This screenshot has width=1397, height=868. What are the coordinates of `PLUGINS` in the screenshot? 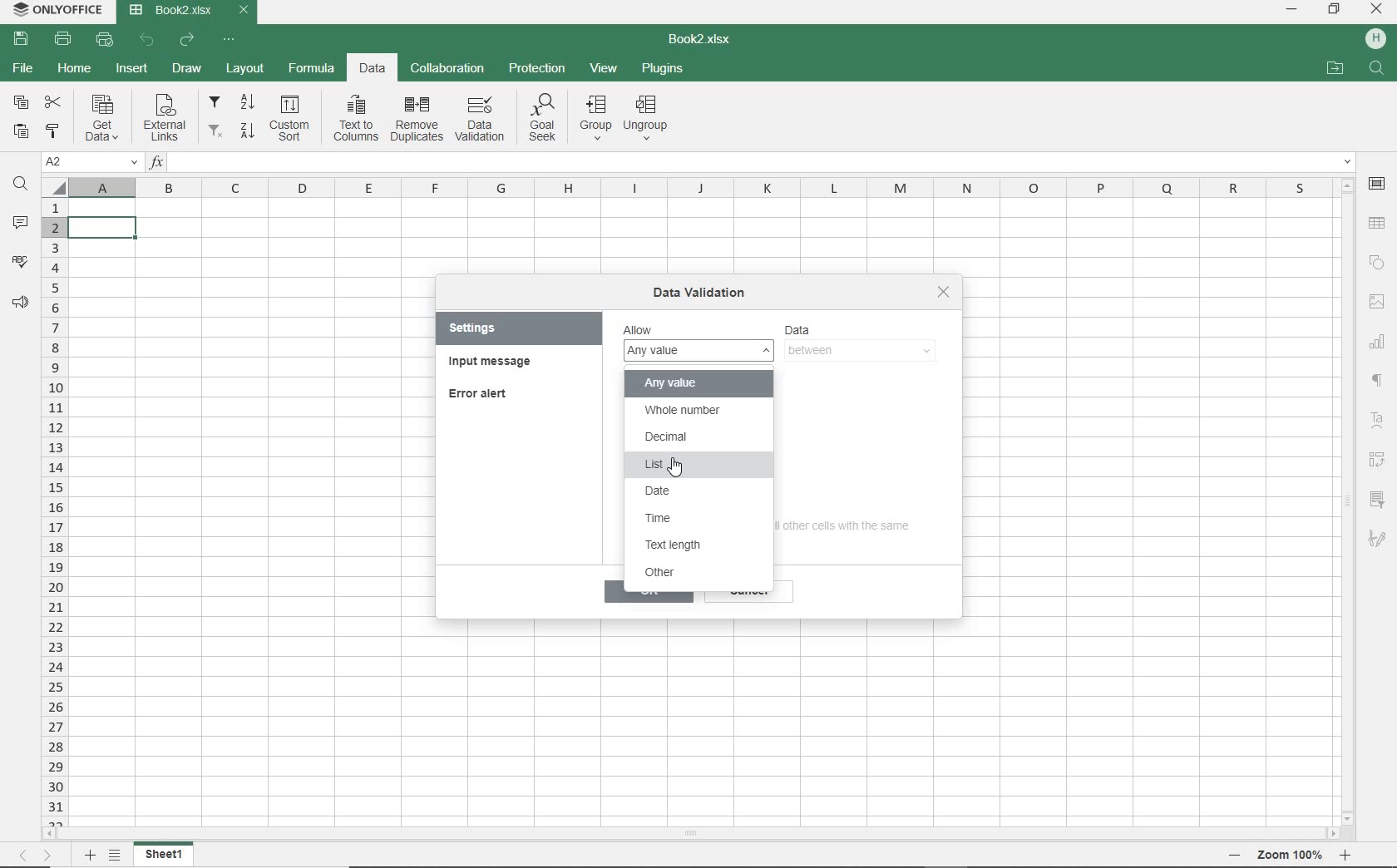 It's located at (664, 67).